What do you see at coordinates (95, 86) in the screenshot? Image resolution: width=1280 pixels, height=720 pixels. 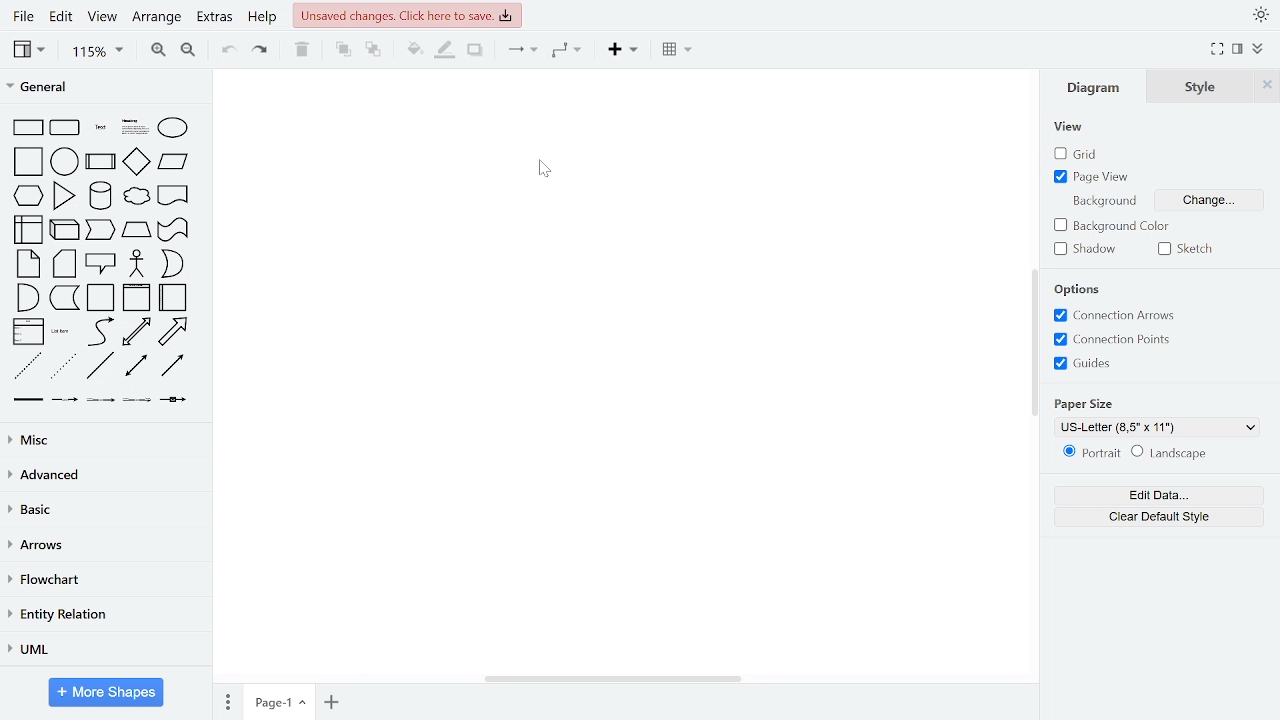 I see `general` at bounding box center [95, 86].